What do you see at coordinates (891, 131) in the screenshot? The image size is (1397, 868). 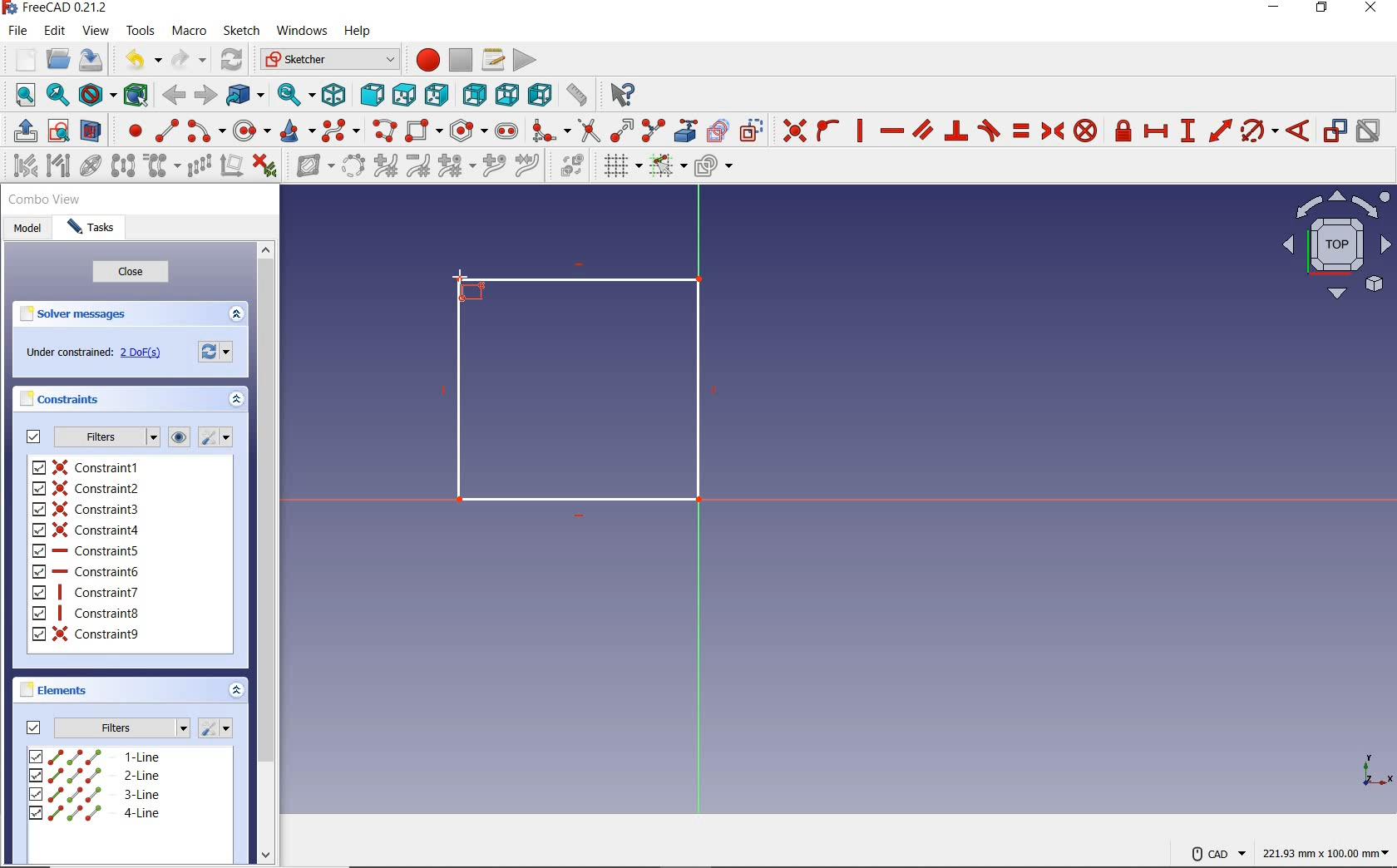 I see `constrain horizontally` at bounding box center [891, 131].